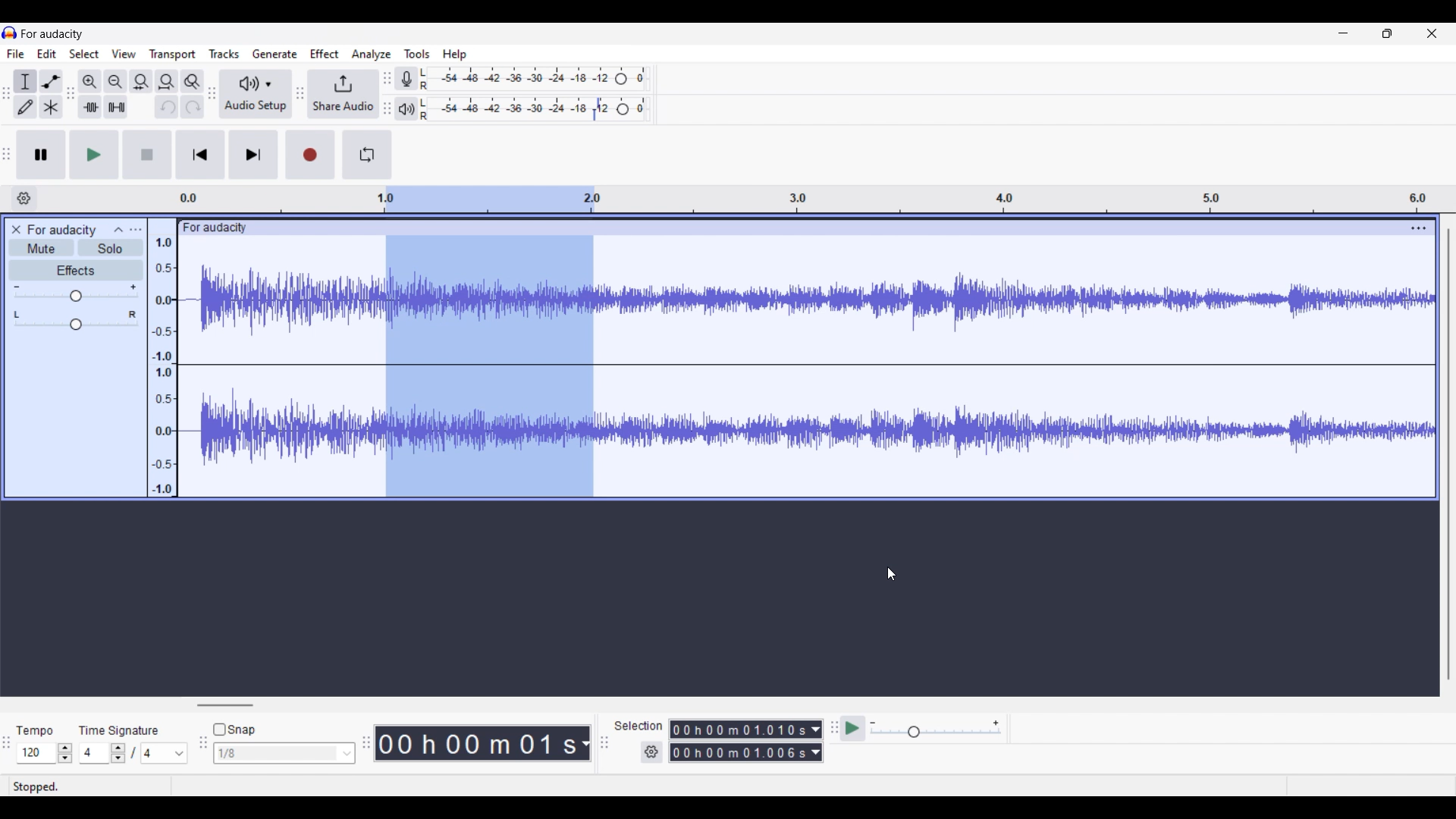 Image resolution: width=1456 pixels, height=819 pixels. Describe the element at coordinates (651, 752) in the screenshot. I see `Selection duration settings` at that location.